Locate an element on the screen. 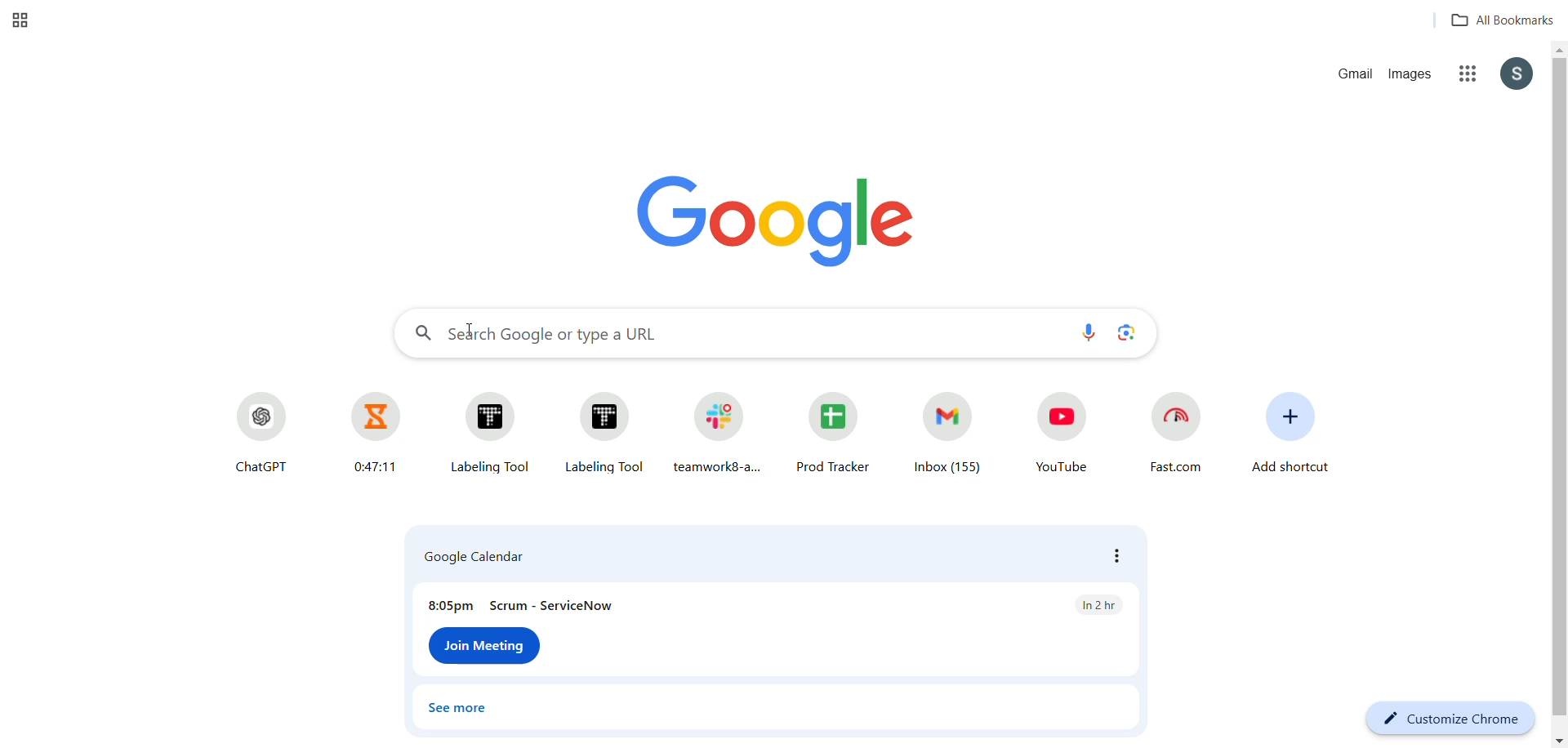 The width and height of the screenshot is (1568, 748). move up is located at coordinates (1558, 50).